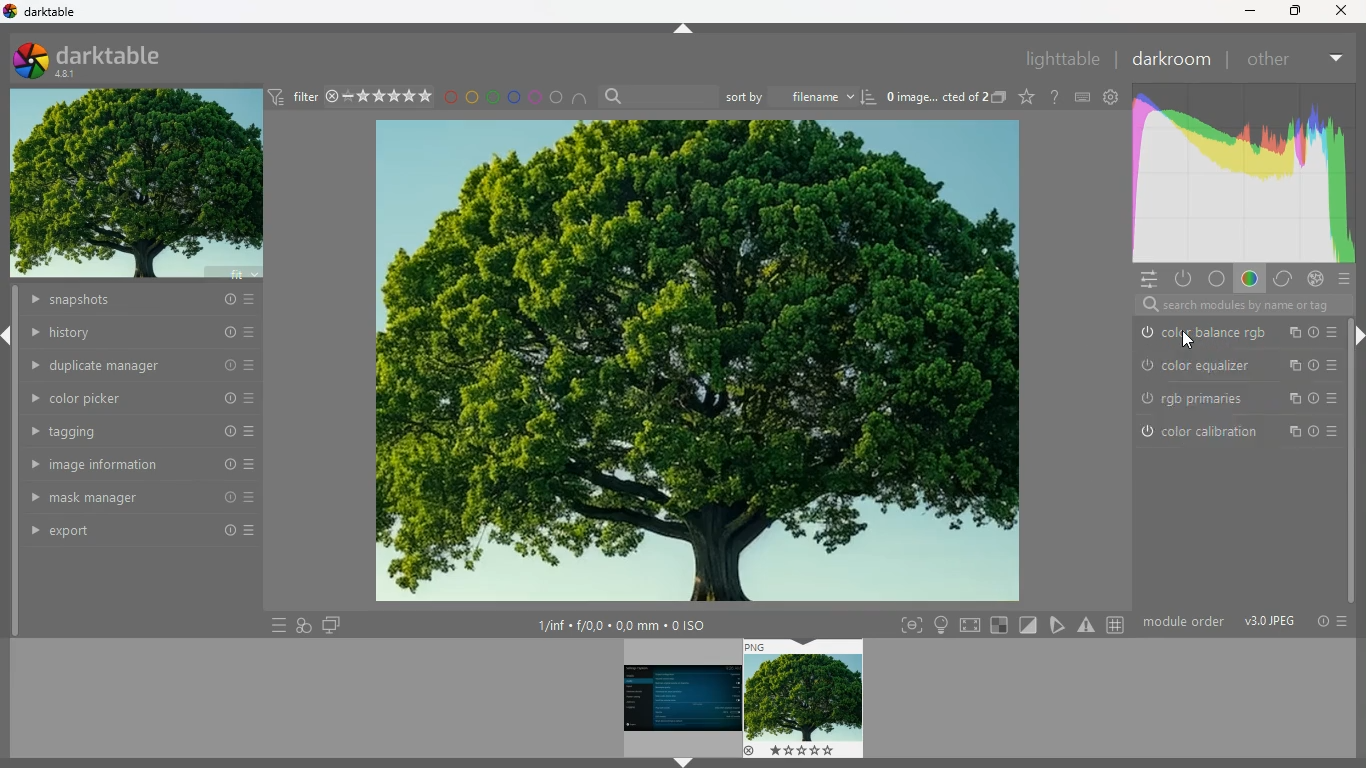 This screenshot has width=1366, height=768. What do you see at coordinates (274, 625) in the screenshot?
I see `menu` at bounding box center [274, 625].